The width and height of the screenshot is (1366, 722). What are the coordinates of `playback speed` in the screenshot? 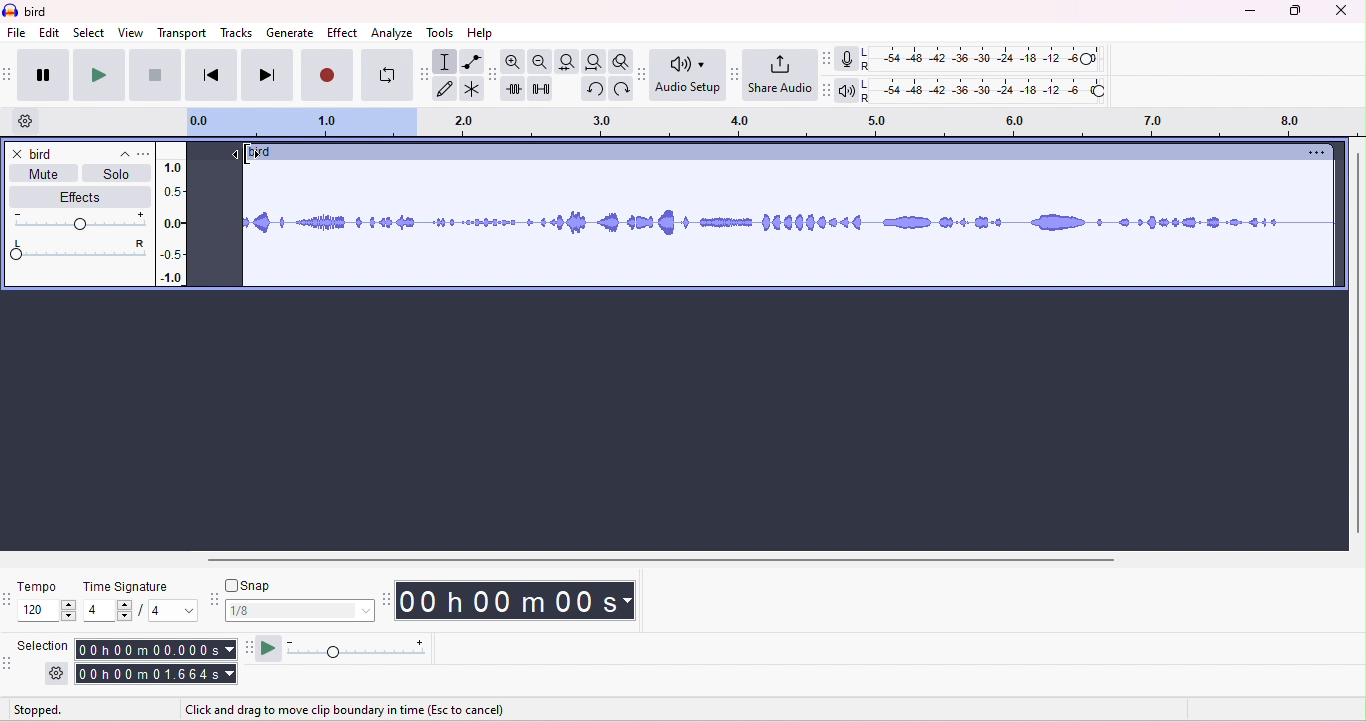 It's located at (357, 650).